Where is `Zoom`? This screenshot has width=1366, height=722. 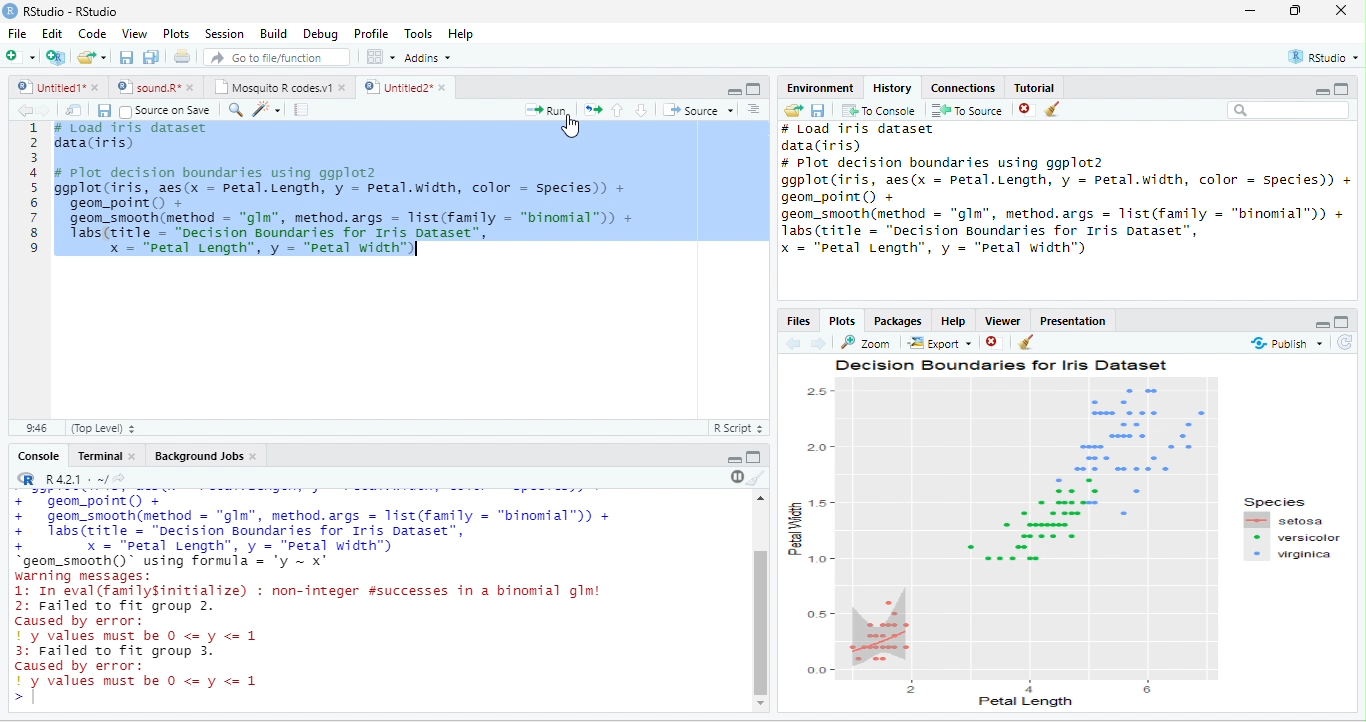 Zoom is located at coordinates (864, 343).